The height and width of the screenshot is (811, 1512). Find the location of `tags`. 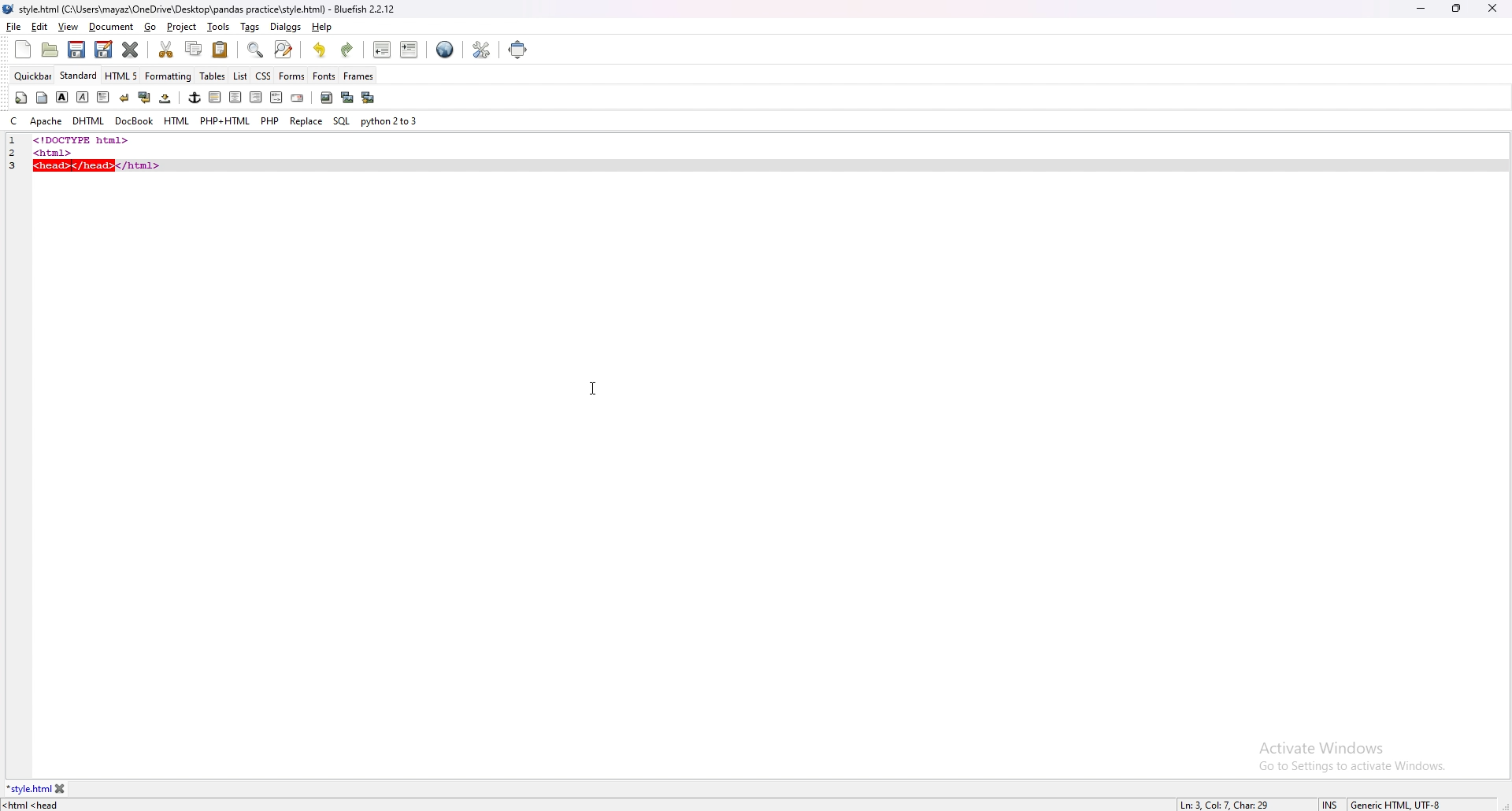

tags is located at coordinates (251, 27).